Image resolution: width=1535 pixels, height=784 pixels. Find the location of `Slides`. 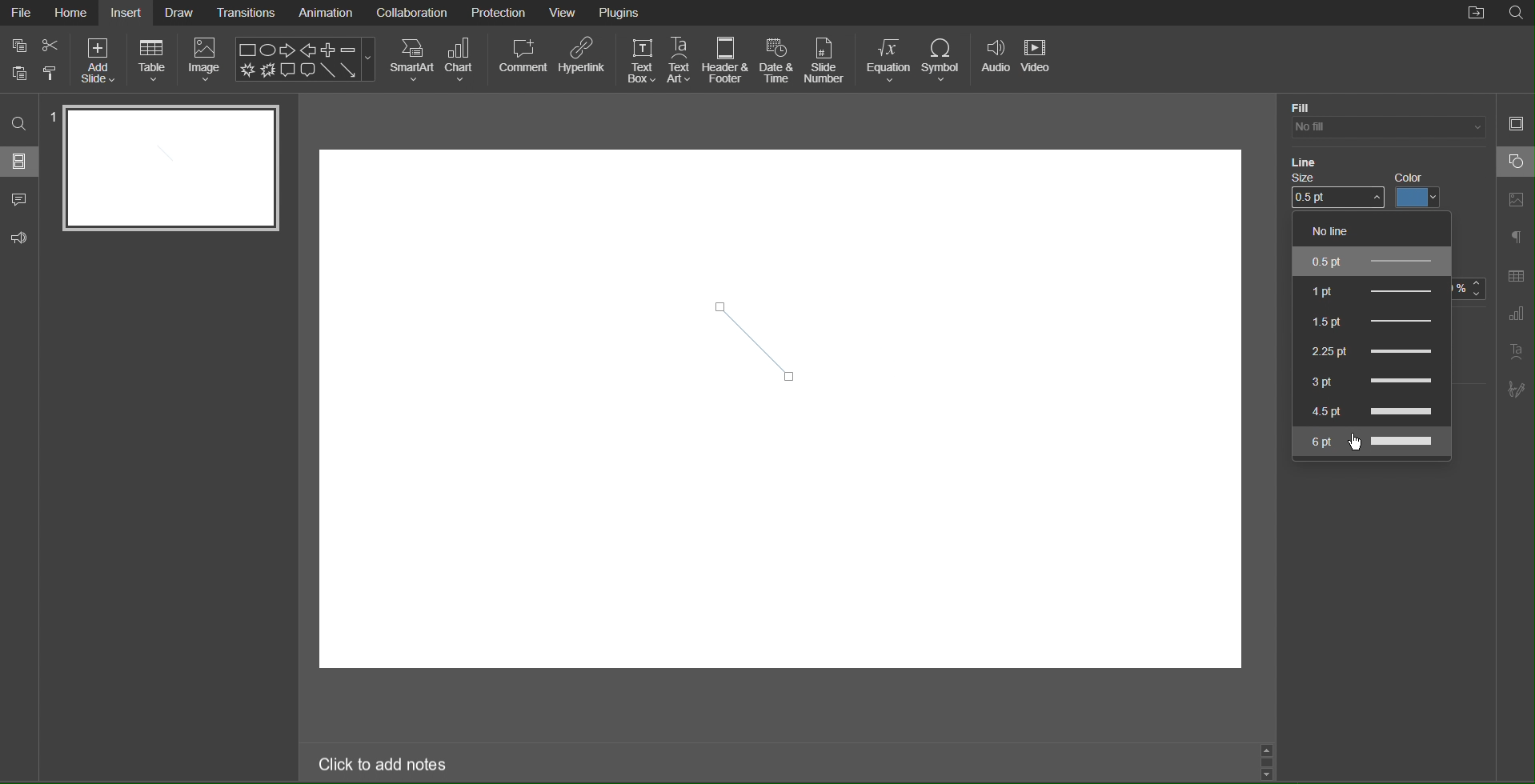

Slides is located at coordinates (21, 161).